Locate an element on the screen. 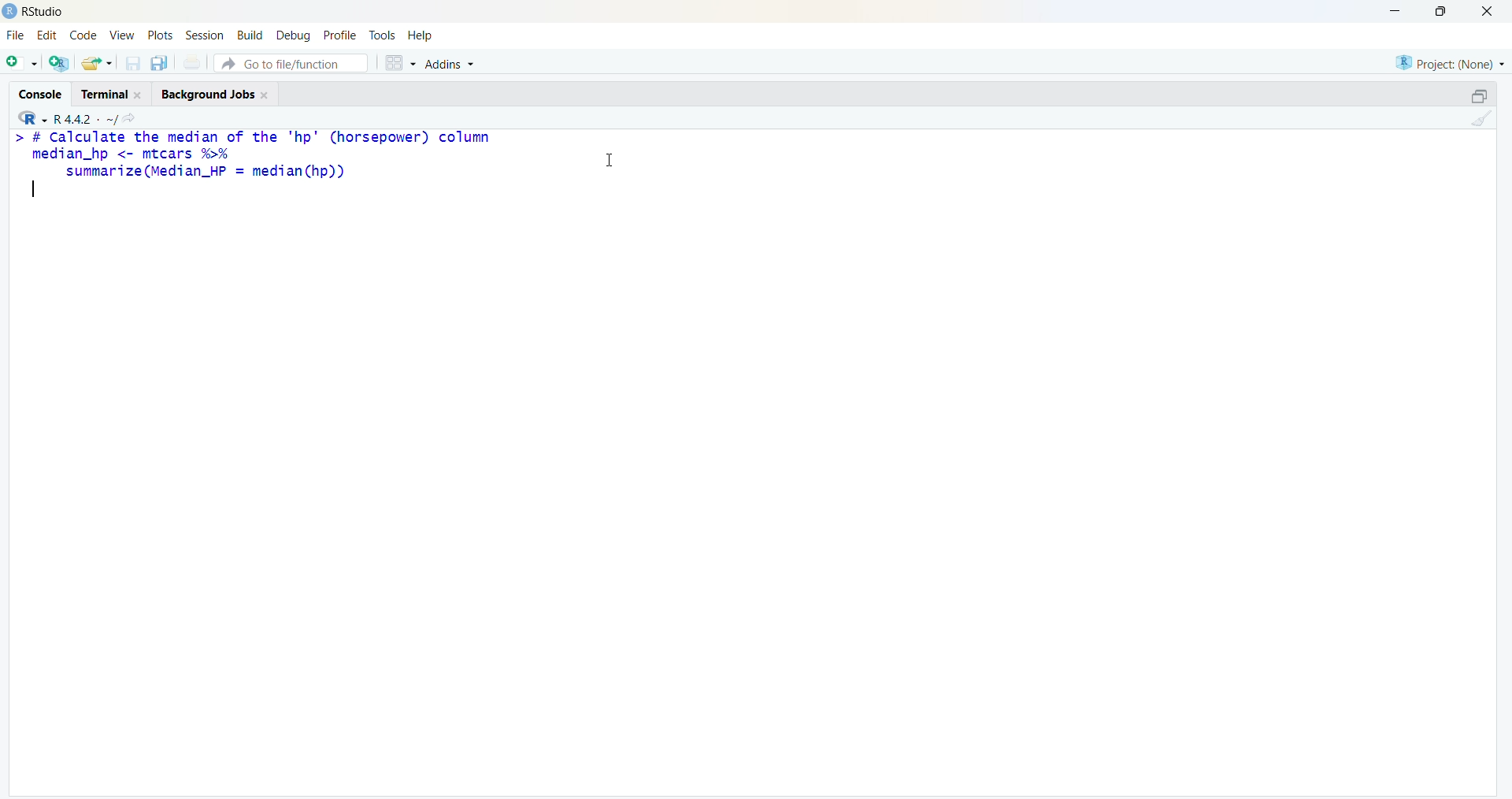 Image resolution: width=1512 pixels, height=799 pixels. share folder as is located at coordinates (98, 63).